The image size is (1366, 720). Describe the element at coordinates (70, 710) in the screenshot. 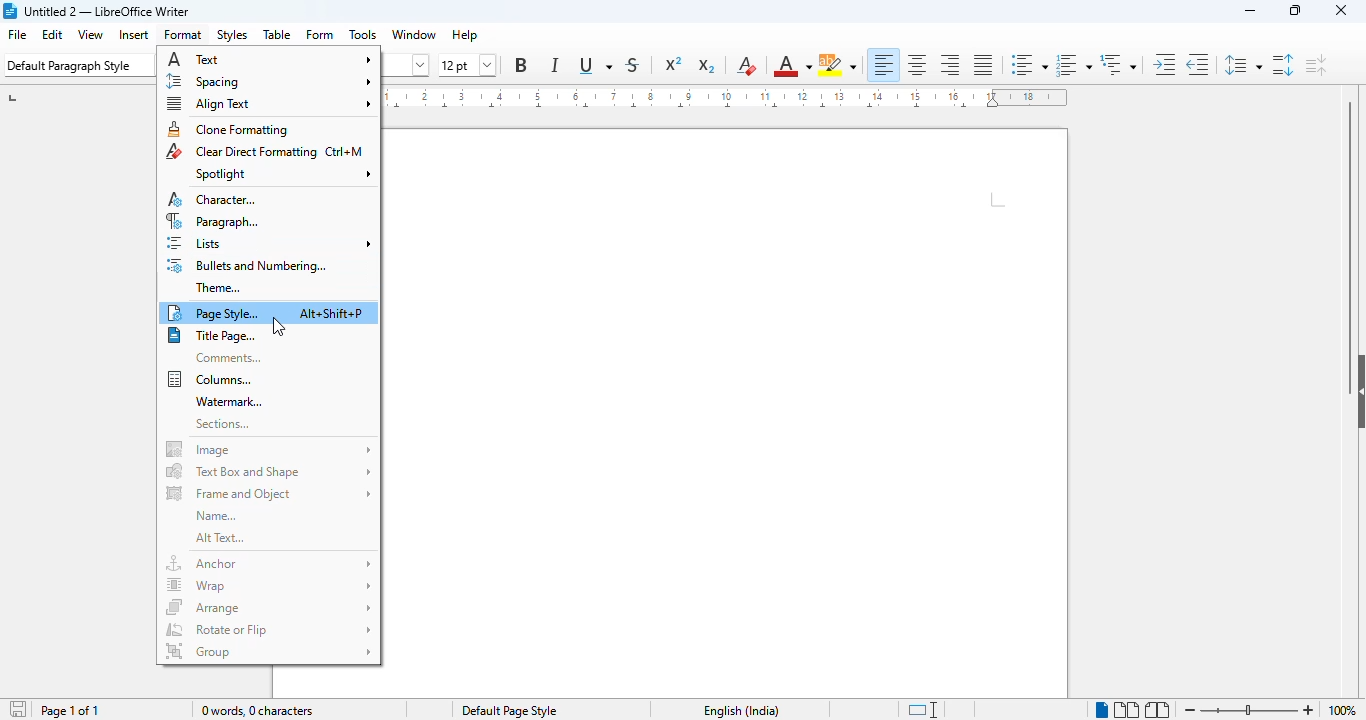

I see `page 1 of 1` at that location.